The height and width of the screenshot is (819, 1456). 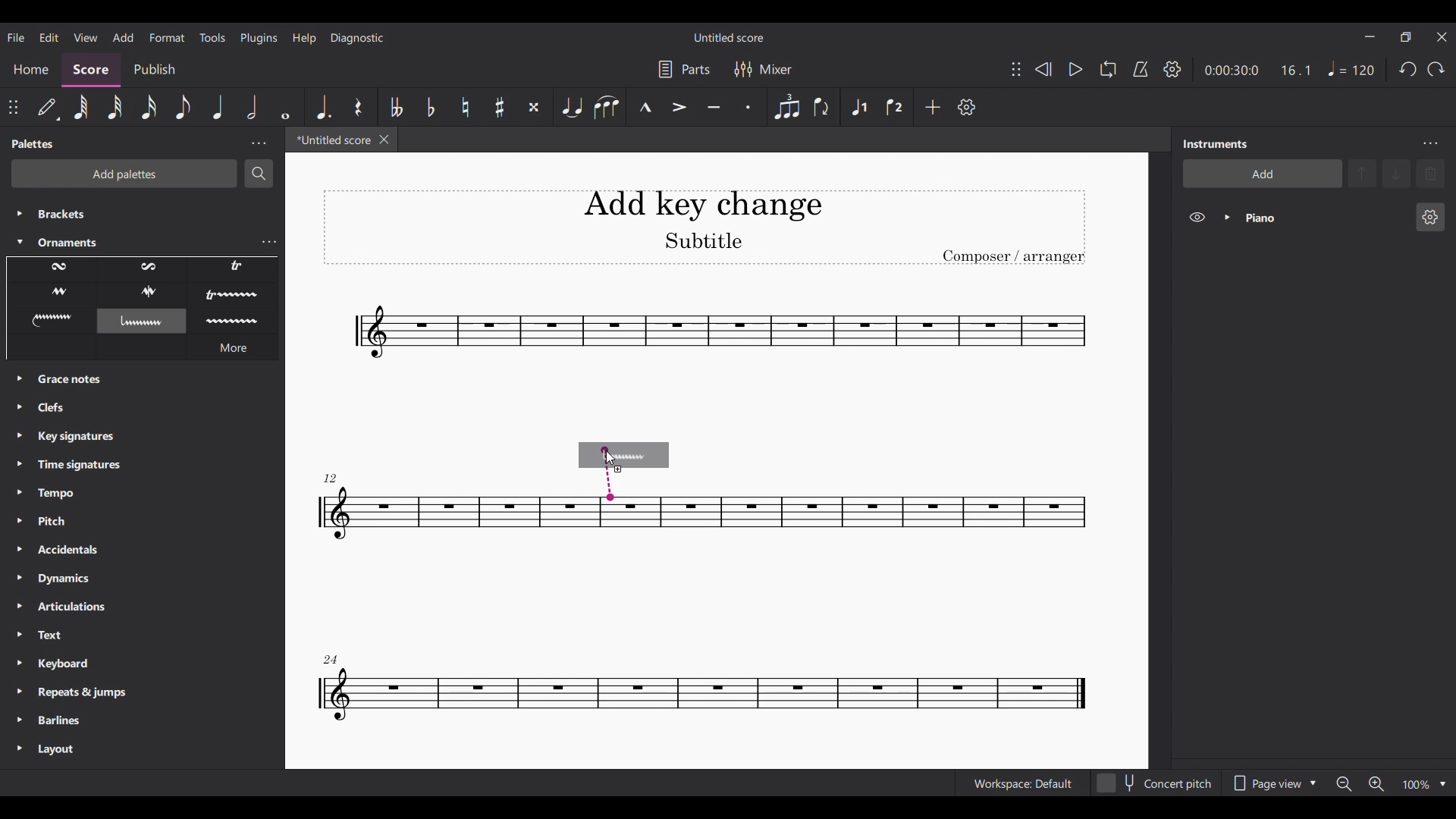 What do you see at coordinates (323, 107) in the screenshot?
I see `Augmentation dot` at bounding box center [323, 107].